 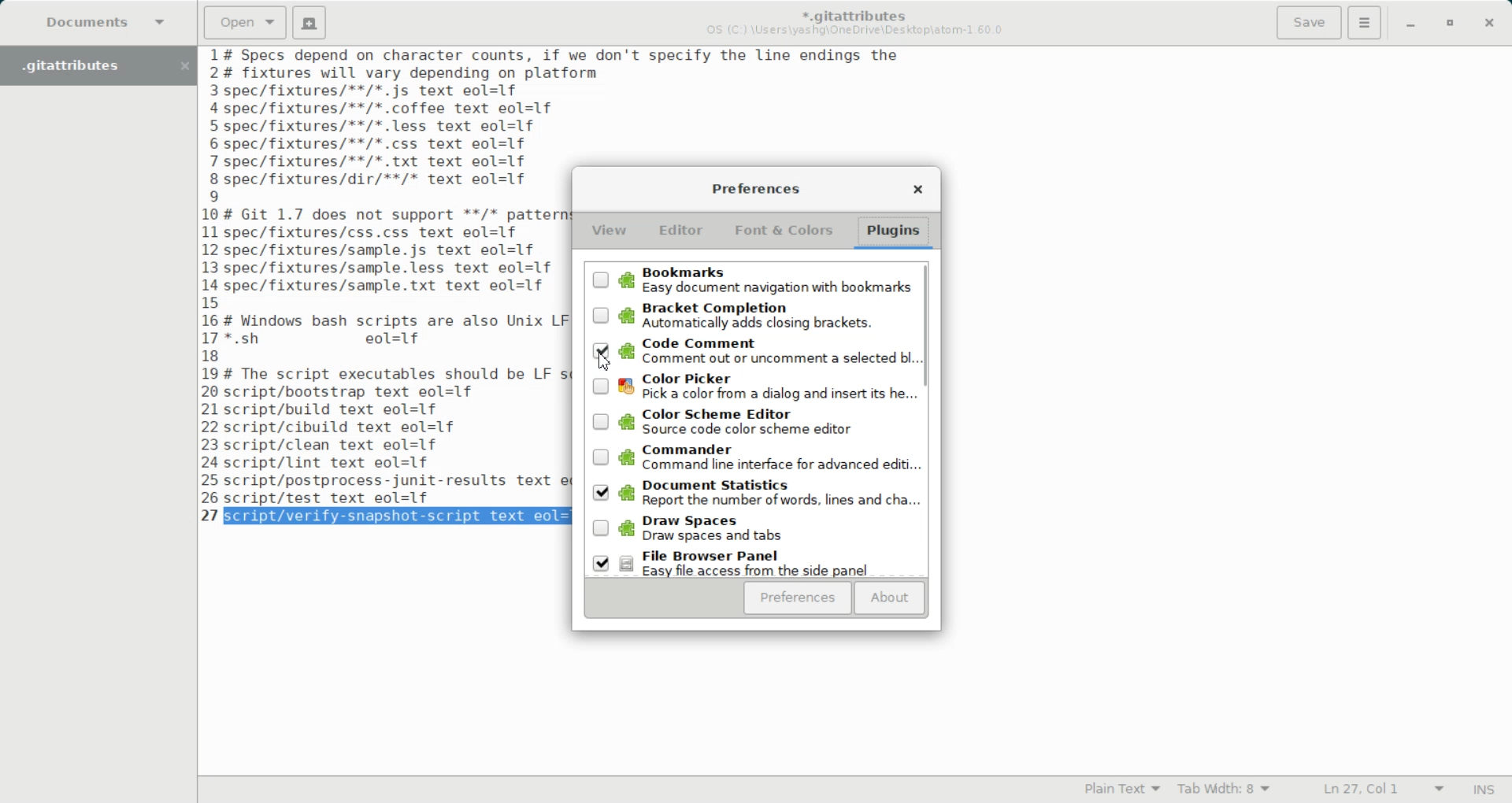 What do you see at coordinates (750, 388) in the screenshot?
I see `color Picker: pick a color from a dialog and insert its he..` at bounding box center [750, 388].